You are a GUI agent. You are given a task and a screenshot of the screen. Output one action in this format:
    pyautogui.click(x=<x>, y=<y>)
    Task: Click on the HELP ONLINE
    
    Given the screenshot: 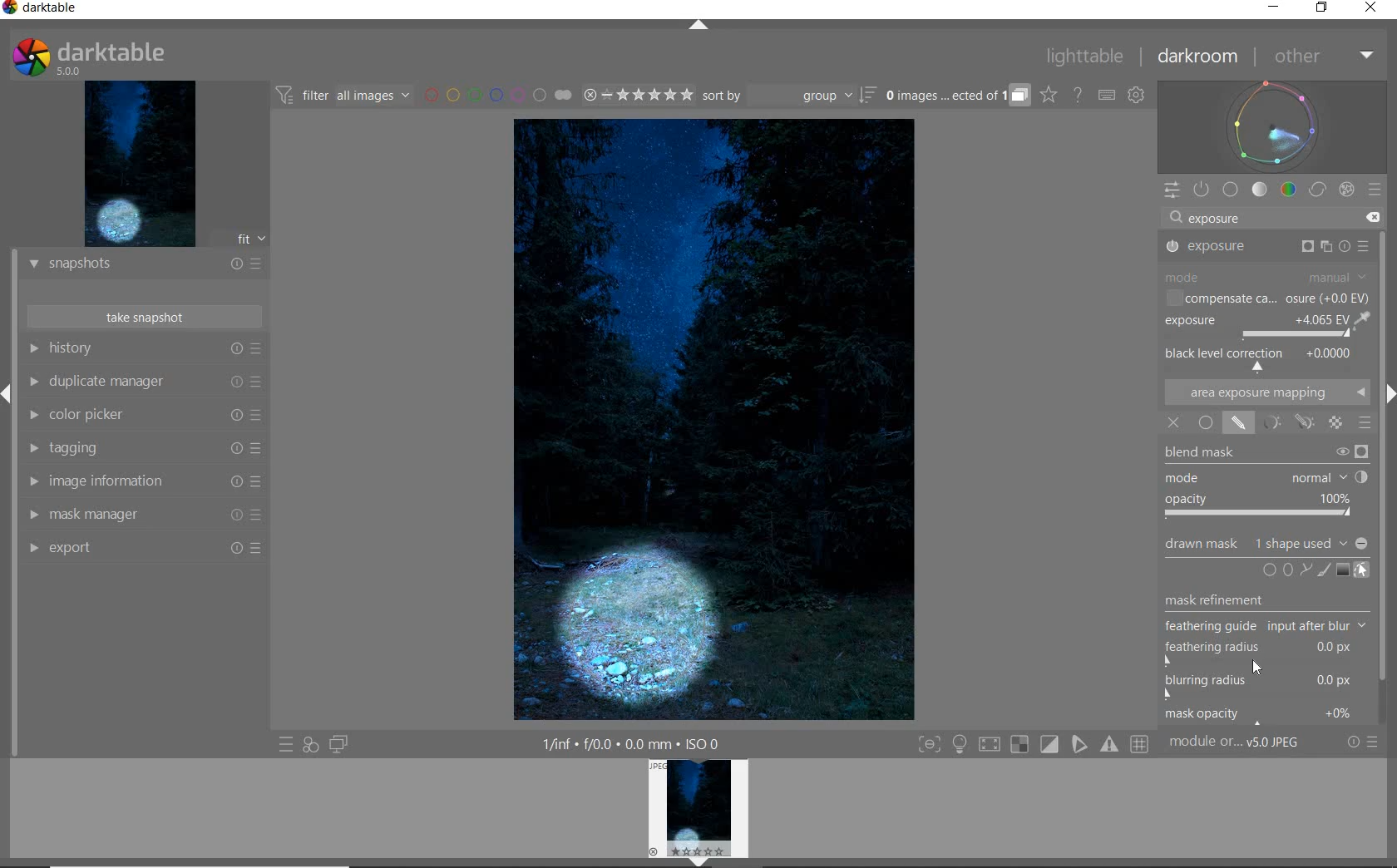 What is the action you would take?
    pyautogui.click(x=1078, y=96)
    